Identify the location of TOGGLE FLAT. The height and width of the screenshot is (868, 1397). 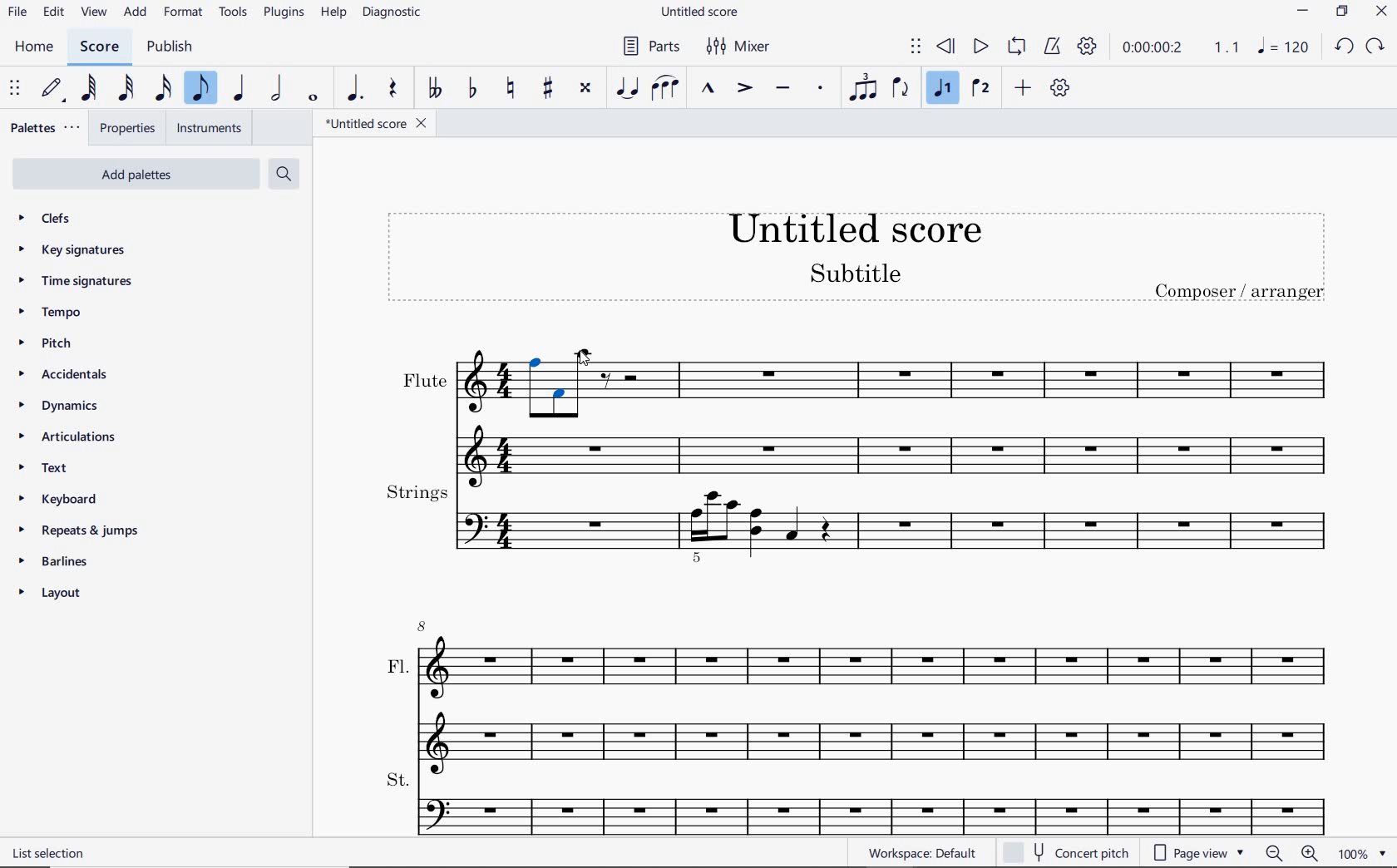
(474, 86).